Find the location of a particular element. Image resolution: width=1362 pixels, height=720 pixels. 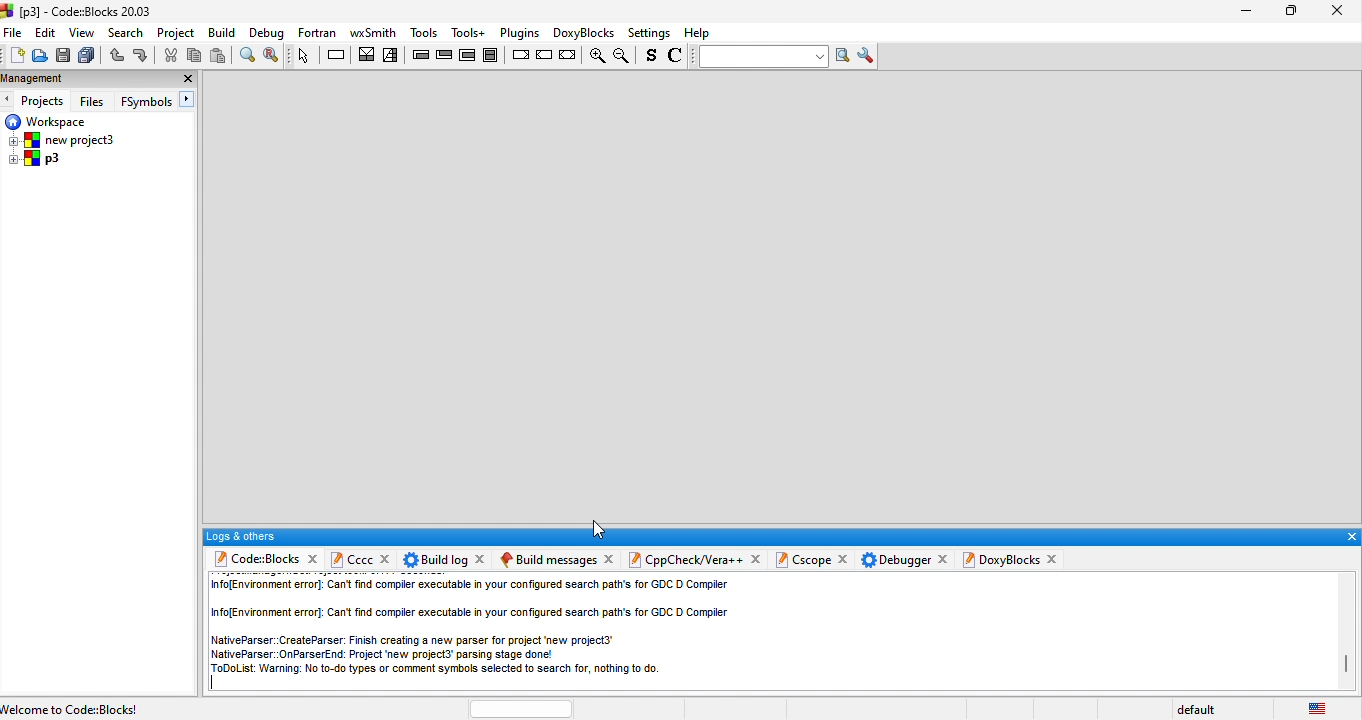

wxsmith is located at coordinates (372, 32).